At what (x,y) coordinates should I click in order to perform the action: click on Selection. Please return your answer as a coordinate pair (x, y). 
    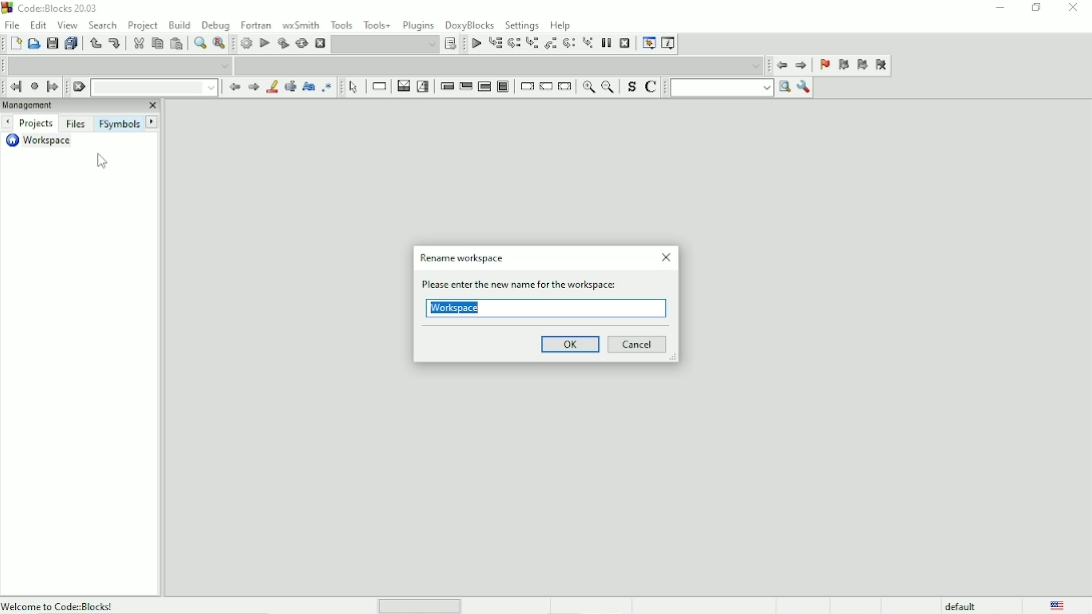
    Looking at the image, I should click on (424, 86).